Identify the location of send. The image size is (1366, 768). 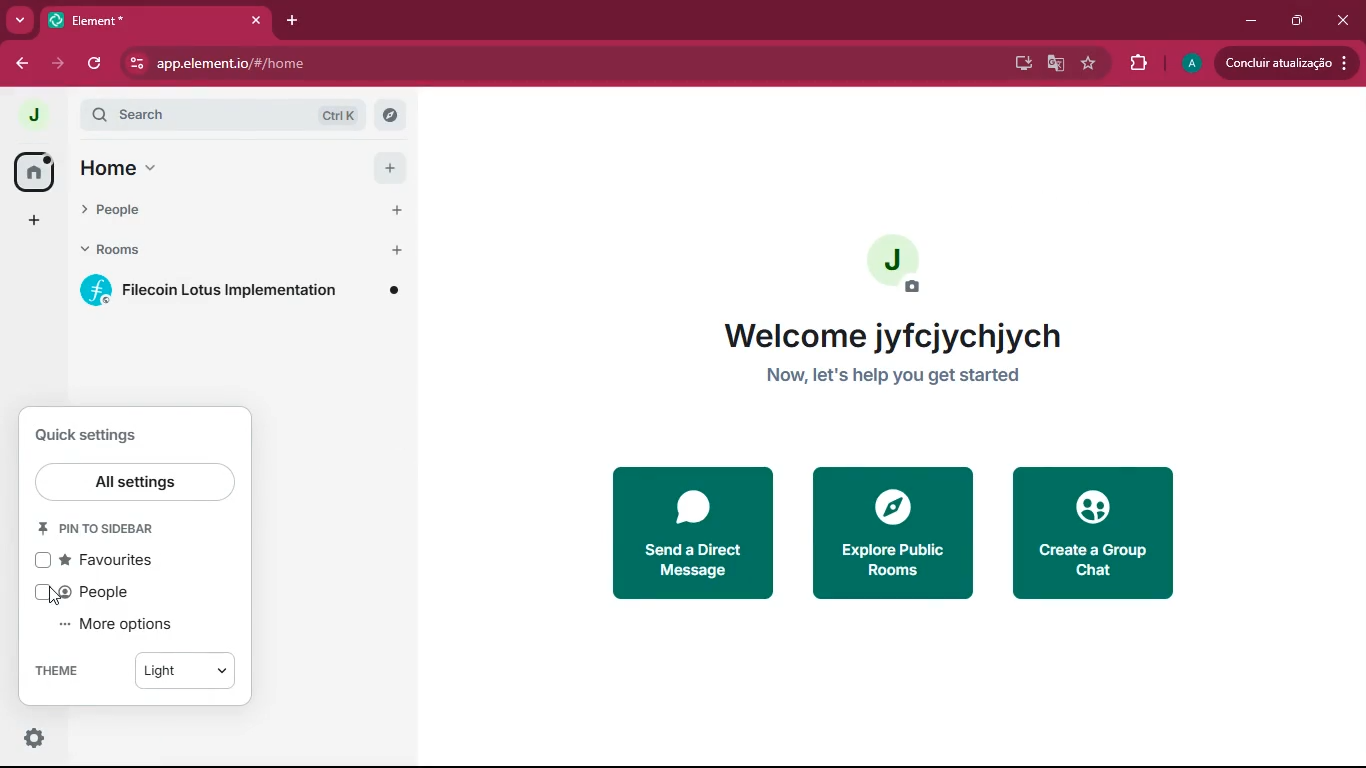
(693, 533).